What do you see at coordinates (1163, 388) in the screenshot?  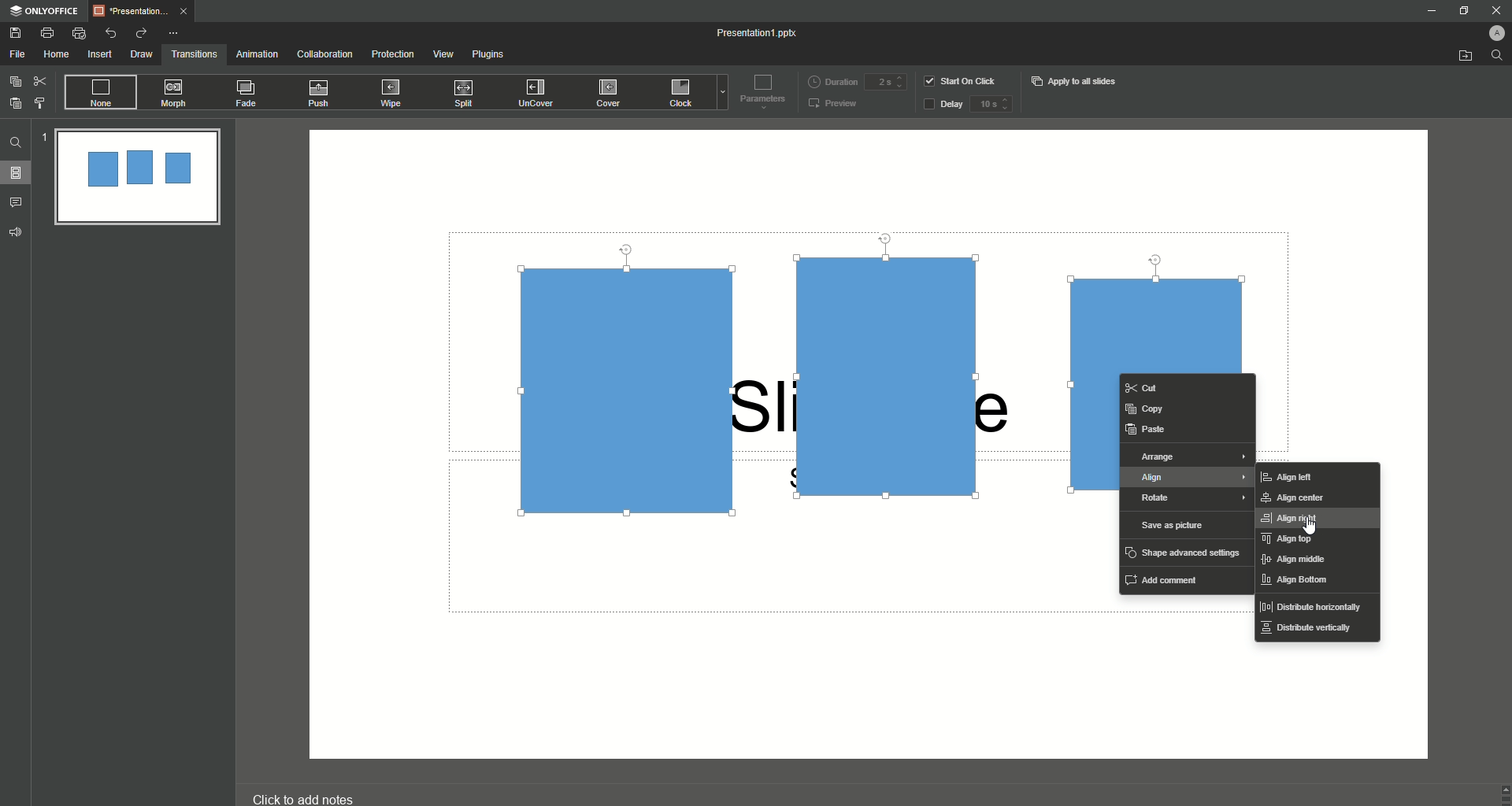 I see `Cut` at bounding box center [1163, 388].